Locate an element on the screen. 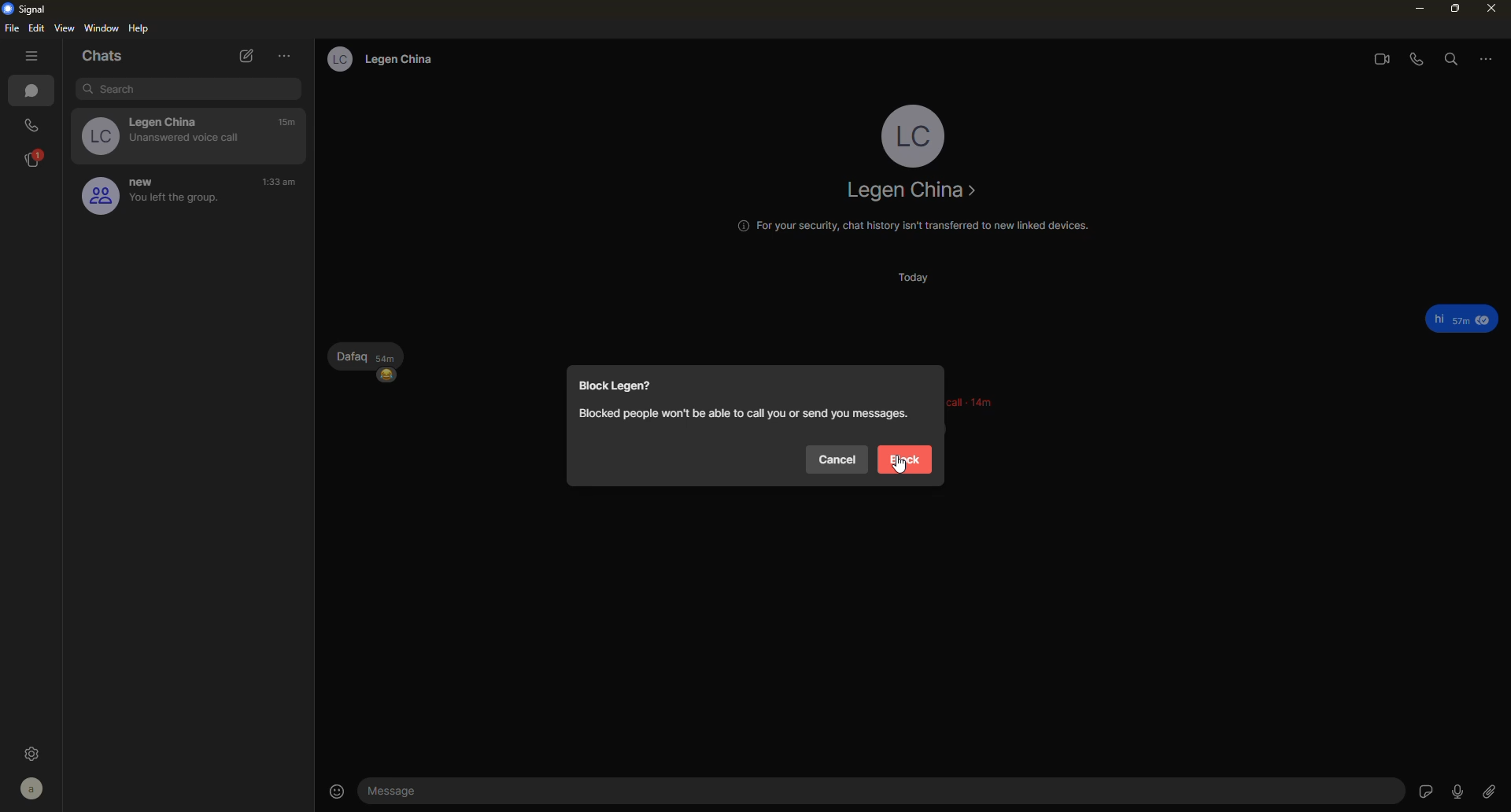  help is located at coordinates (142, 29).